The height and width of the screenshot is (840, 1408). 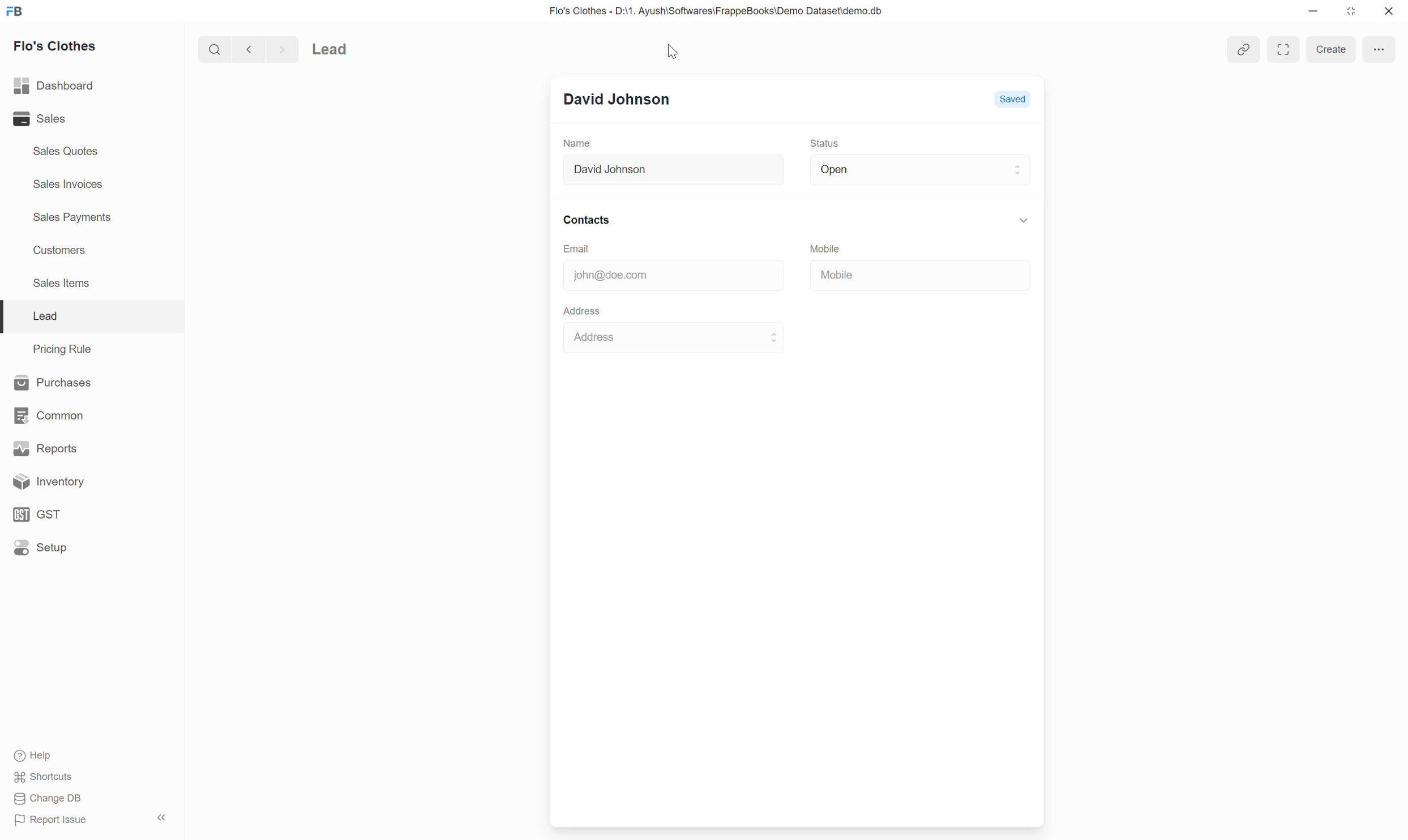 What do you see at coordinates (583, 249) in the screenshot?
I see `Email` at bounding box center [583, 249].